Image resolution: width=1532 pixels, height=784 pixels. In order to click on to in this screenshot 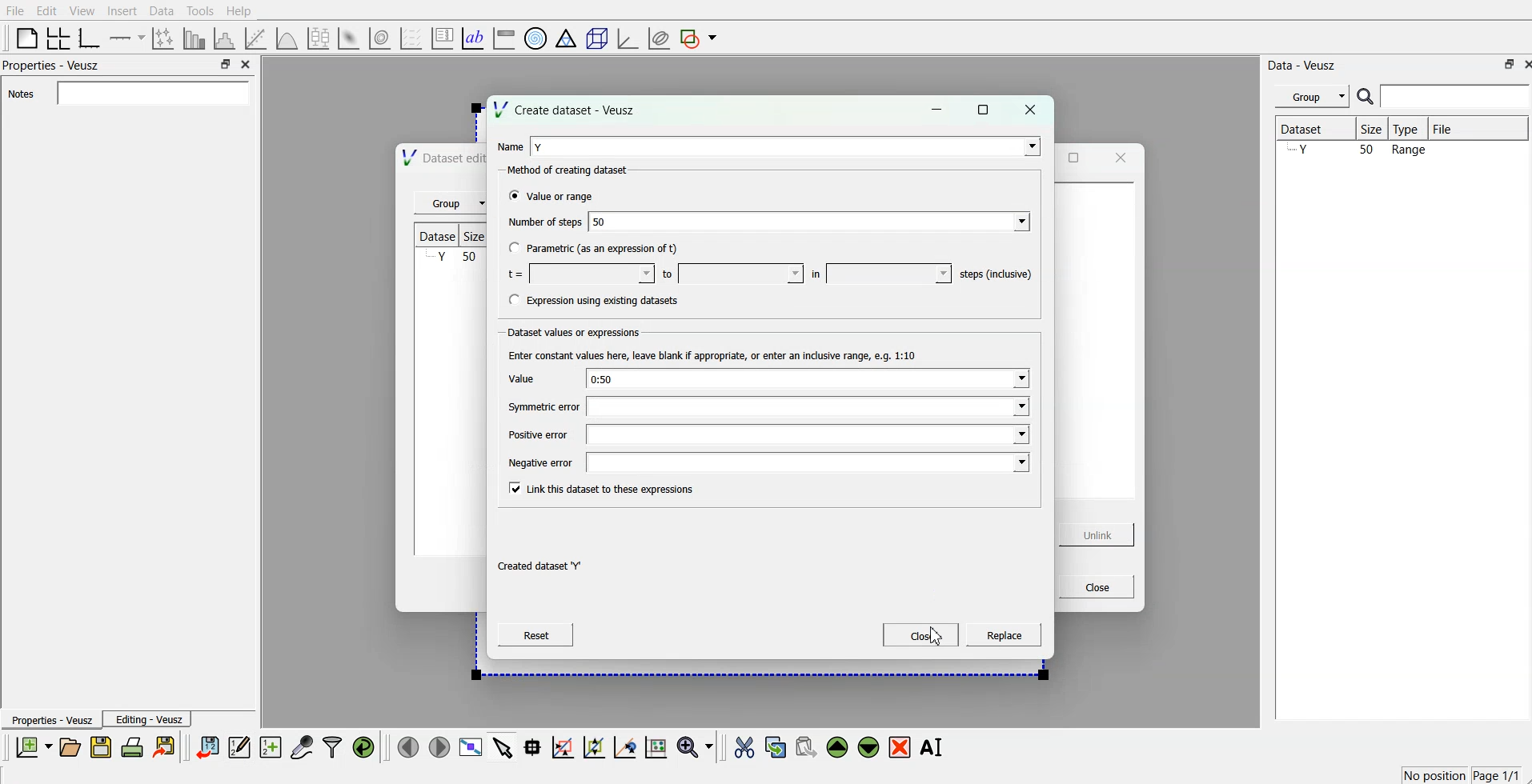, I will do `click(667, 273)`.